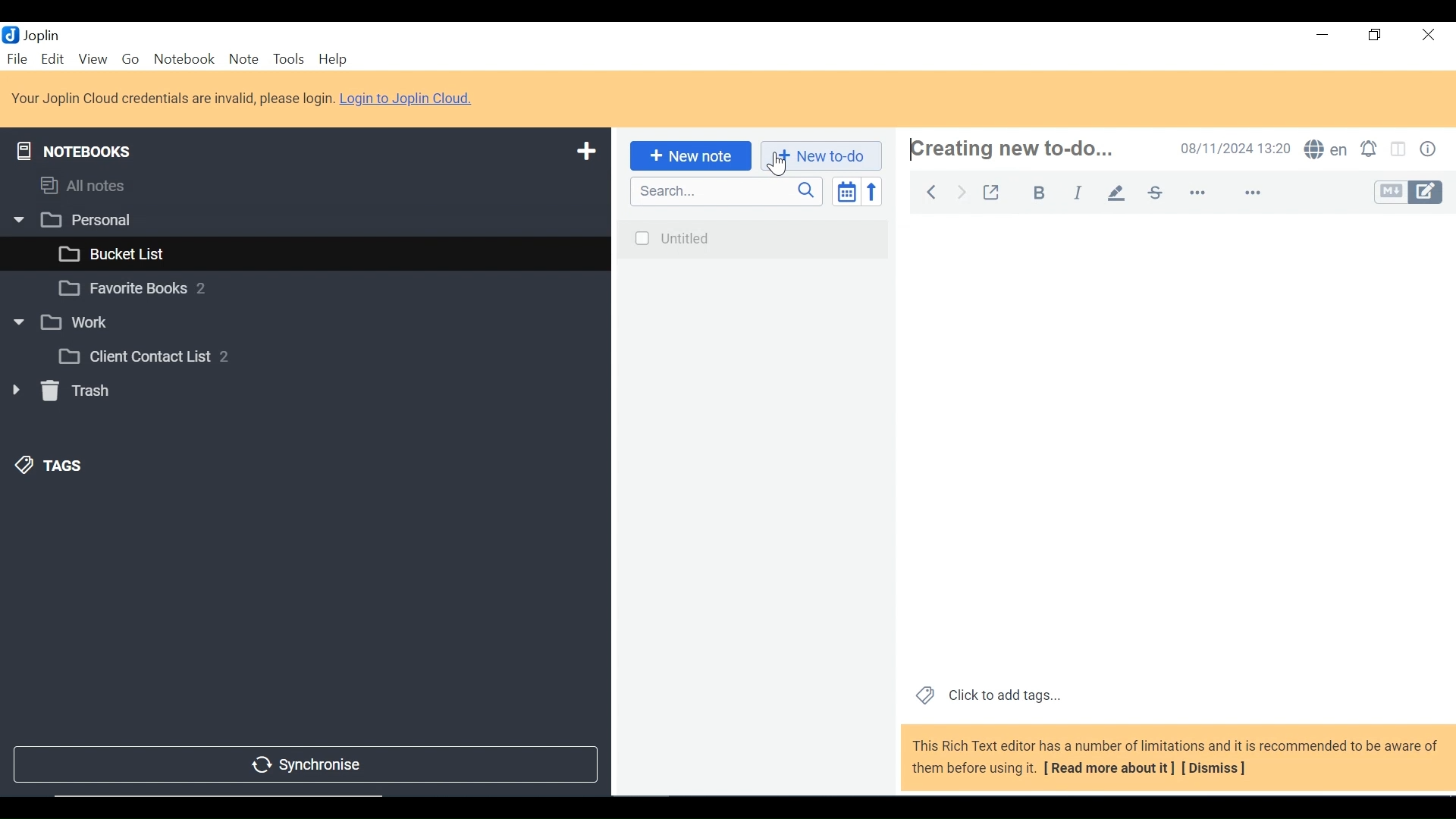 The width and height of the screenshot is (1456, 819). What do you see at coordinates (752, 506) in the screenshot?
I see `Notes` at bounding box center [752, 506].